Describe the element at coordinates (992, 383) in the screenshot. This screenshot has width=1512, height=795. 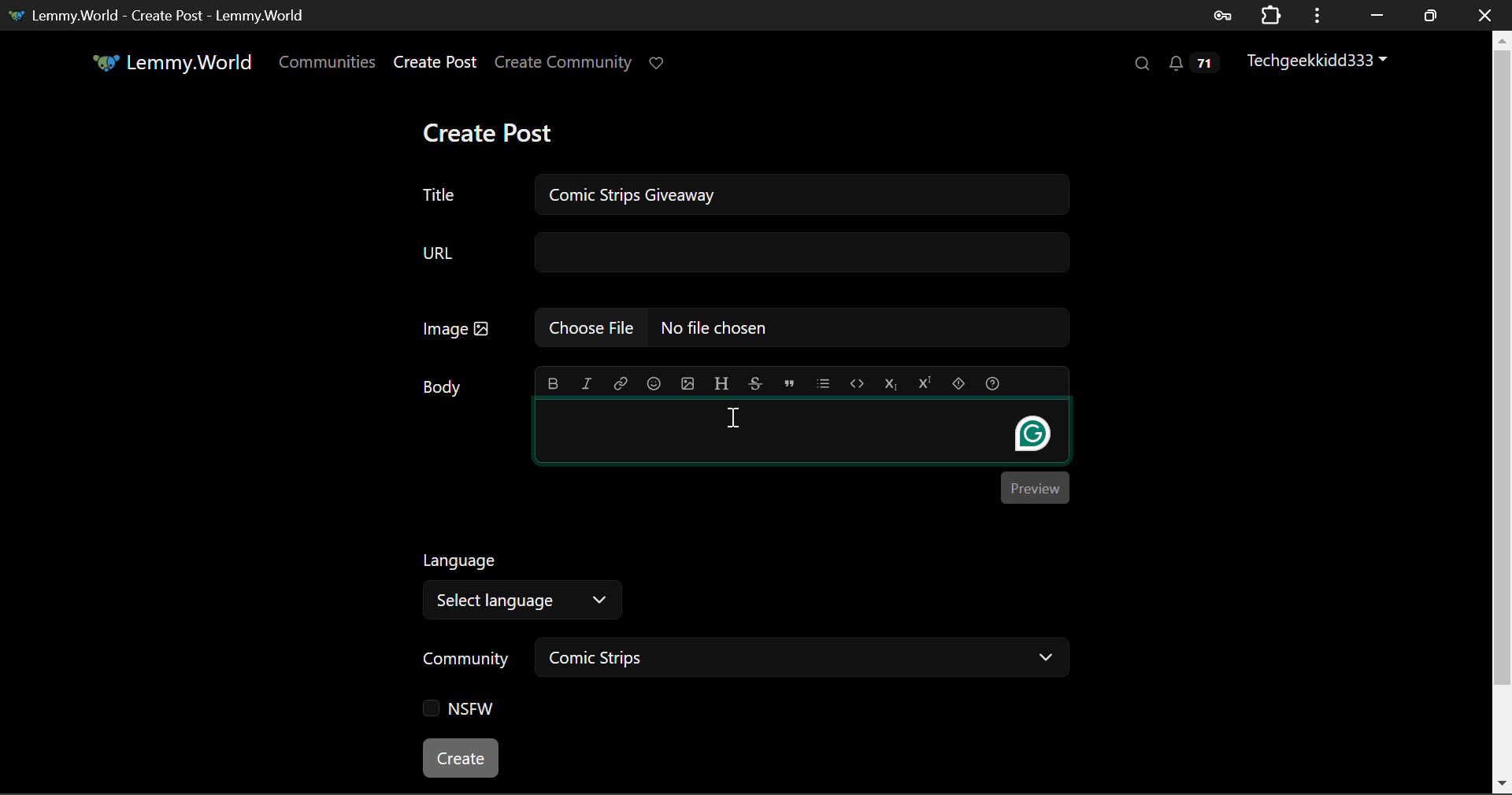
I see `formatting help` at that location.